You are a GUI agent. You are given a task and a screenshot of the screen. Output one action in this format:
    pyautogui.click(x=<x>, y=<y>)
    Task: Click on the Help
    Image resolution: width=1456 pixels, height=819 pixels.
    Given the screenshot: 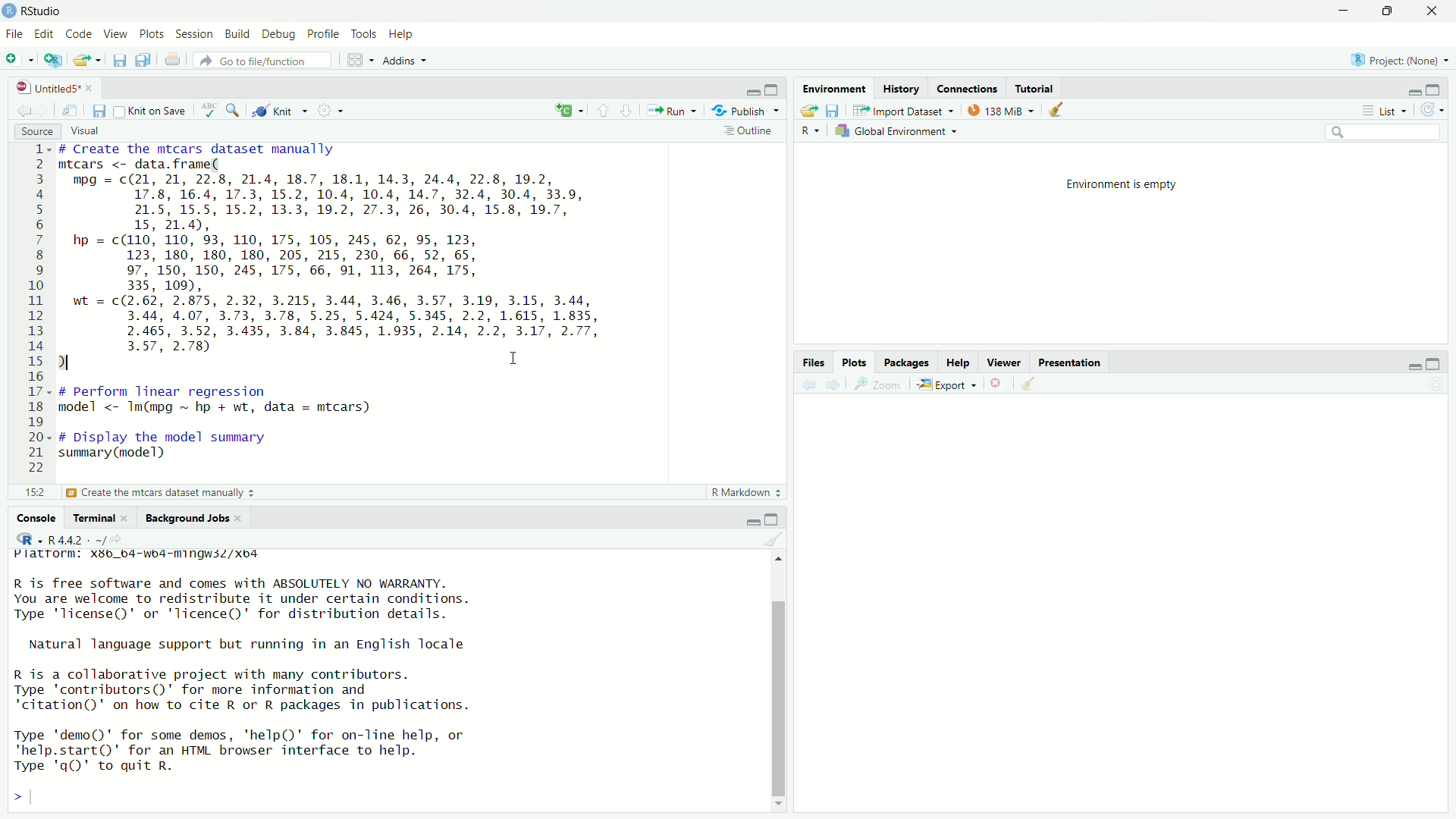 What is the action you would take?
    pyautogui.click(x=958, y=363)
    